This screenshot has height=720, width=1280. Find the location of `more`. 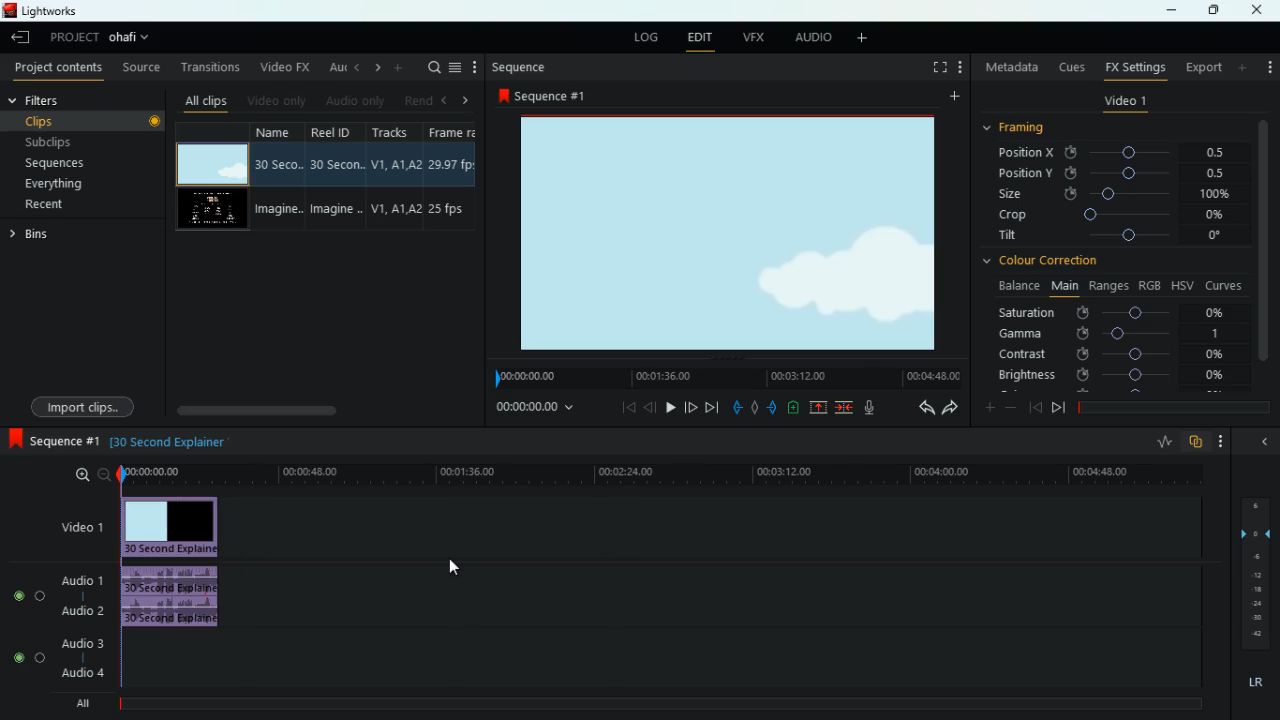

more is located at coordinates (990, 406).